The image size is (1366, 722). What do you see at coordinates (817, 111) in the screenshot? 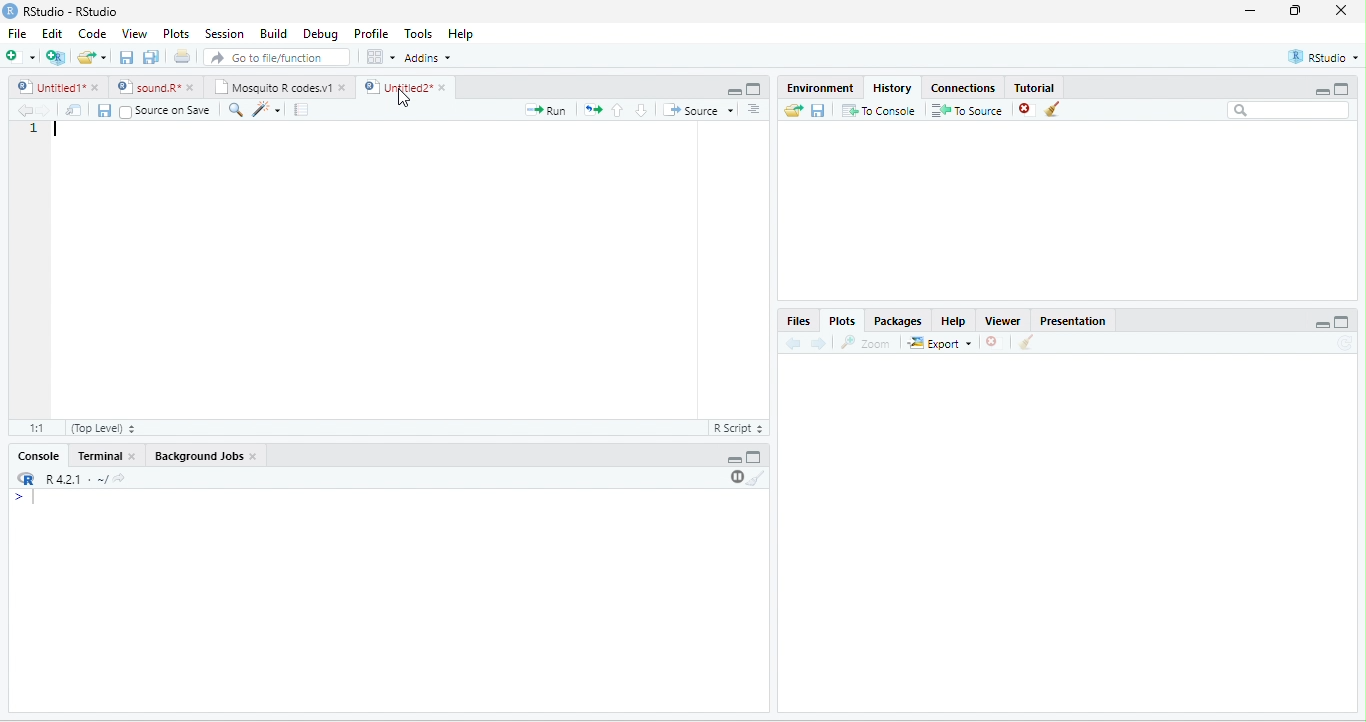
I see `save` at bounding box center [817, 111].